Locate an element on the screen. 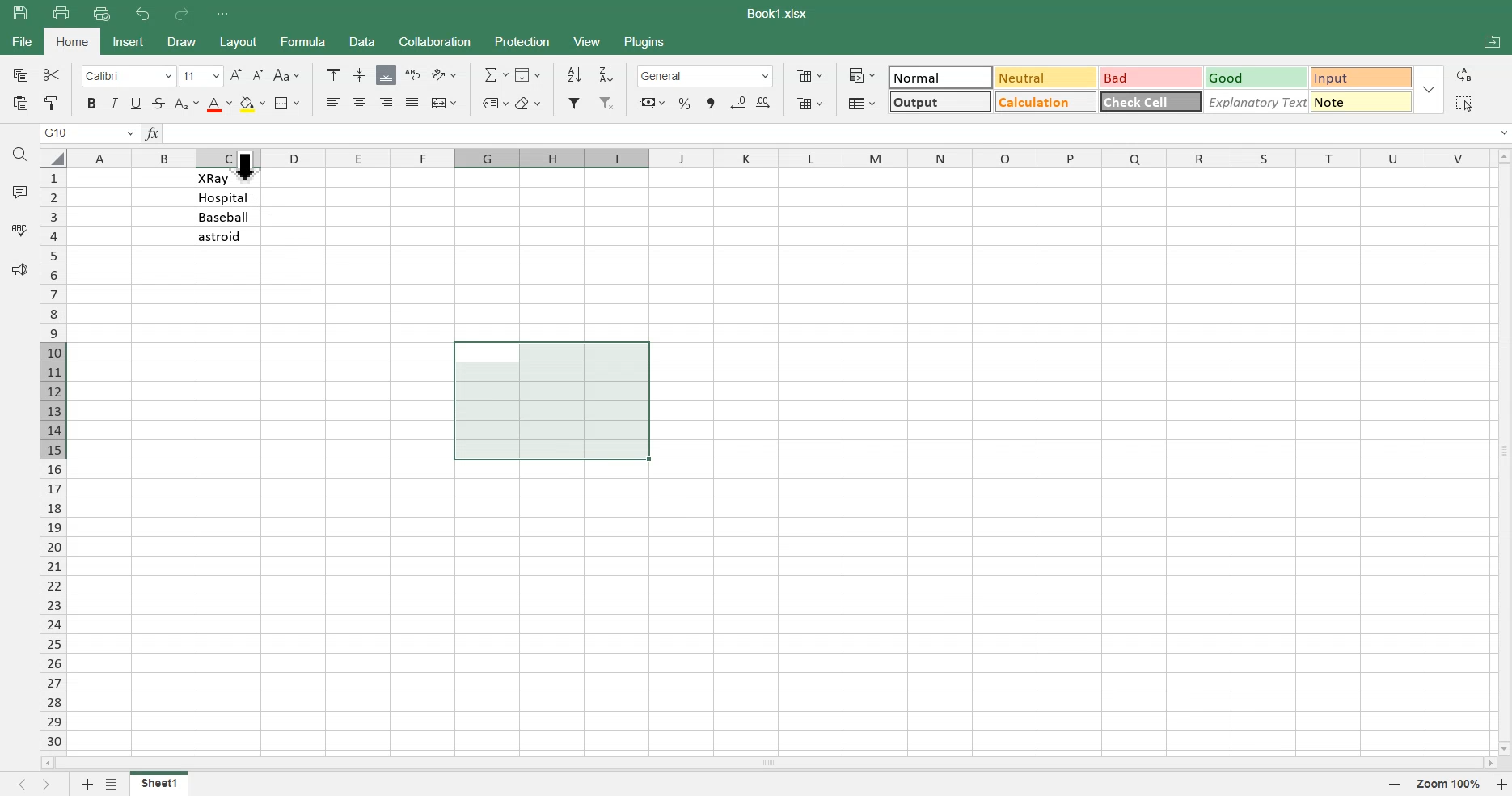 Image resolution: width=1512 pixels, height=796 pixels. zoom in is located at coordinates (1502, 785).